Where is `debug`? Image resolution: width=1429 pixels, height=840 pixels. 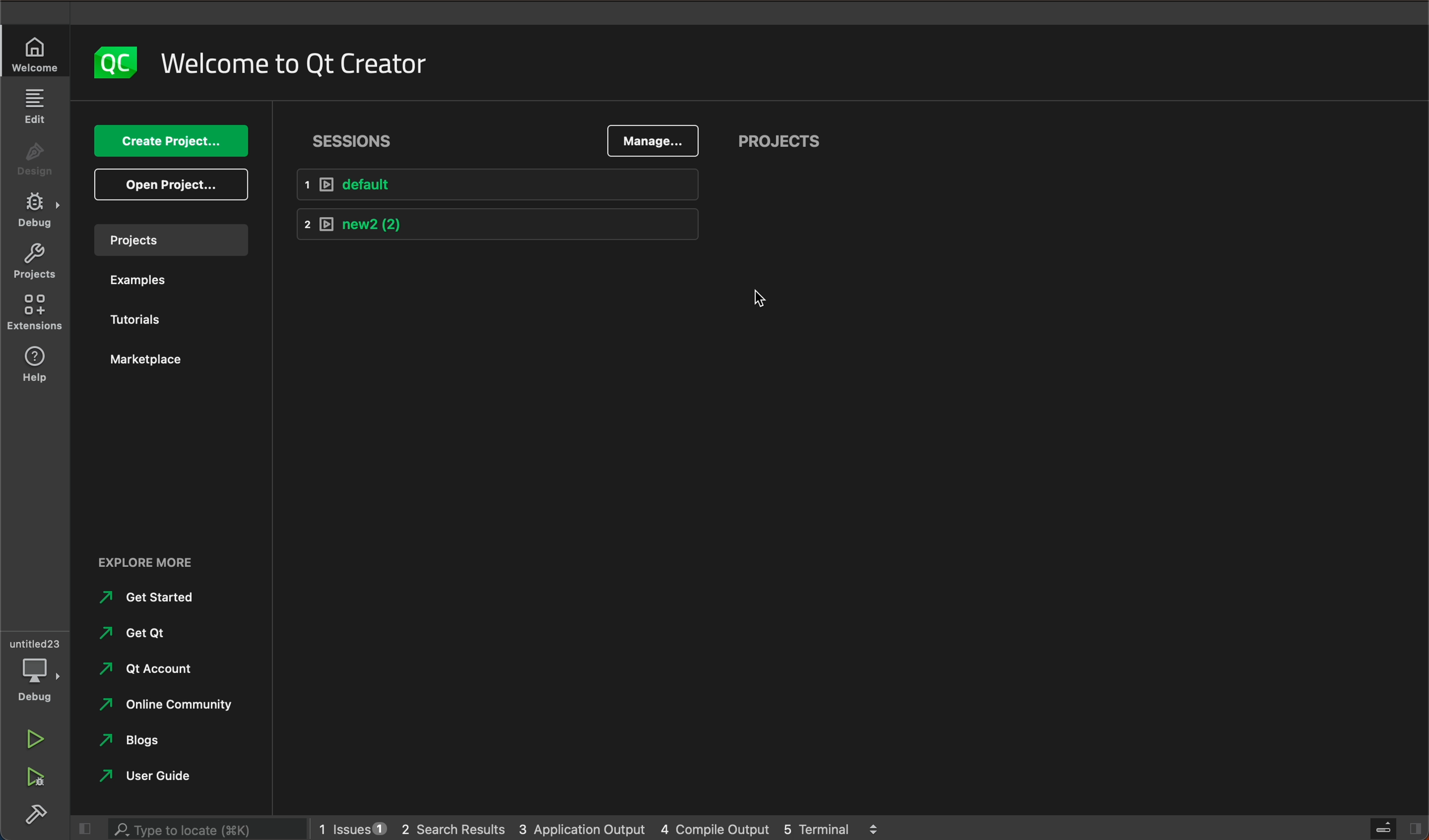
debug is located at coordinates (34, 669).